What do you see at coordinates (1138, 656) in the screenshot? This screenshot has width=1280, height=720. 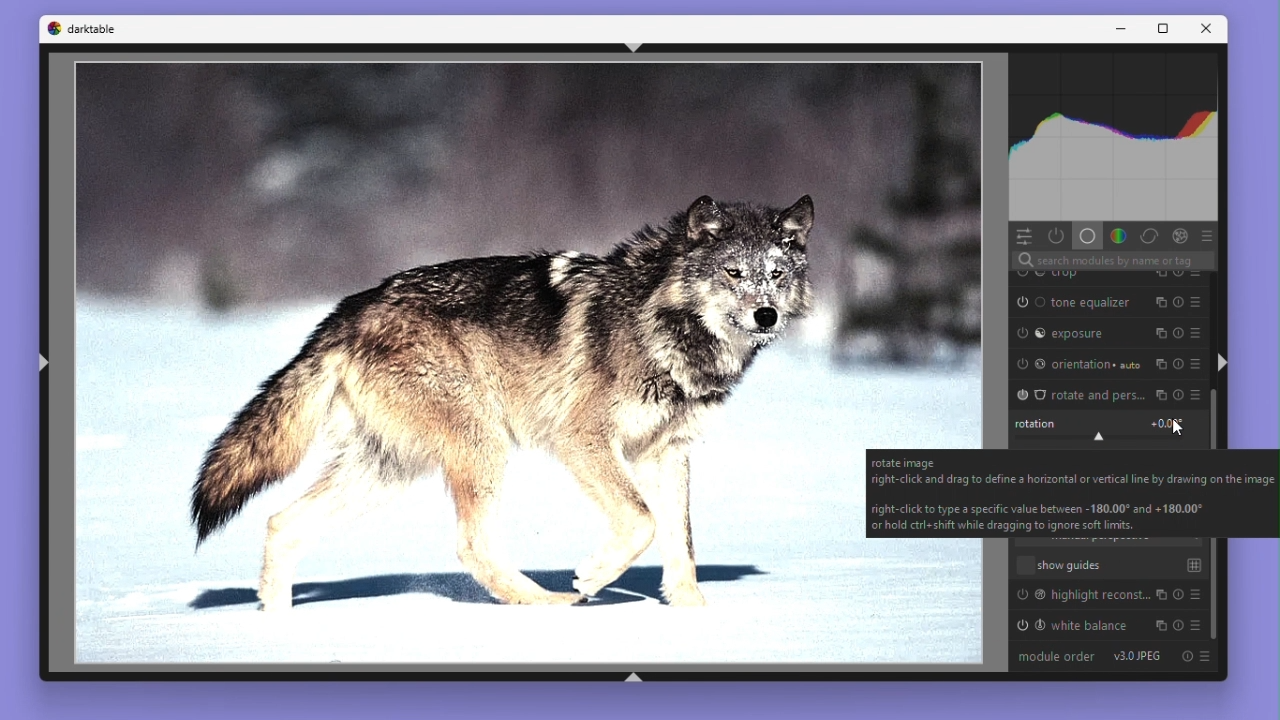 I see `Version 3.0 JPEG` at bounding box center [1138, 656].